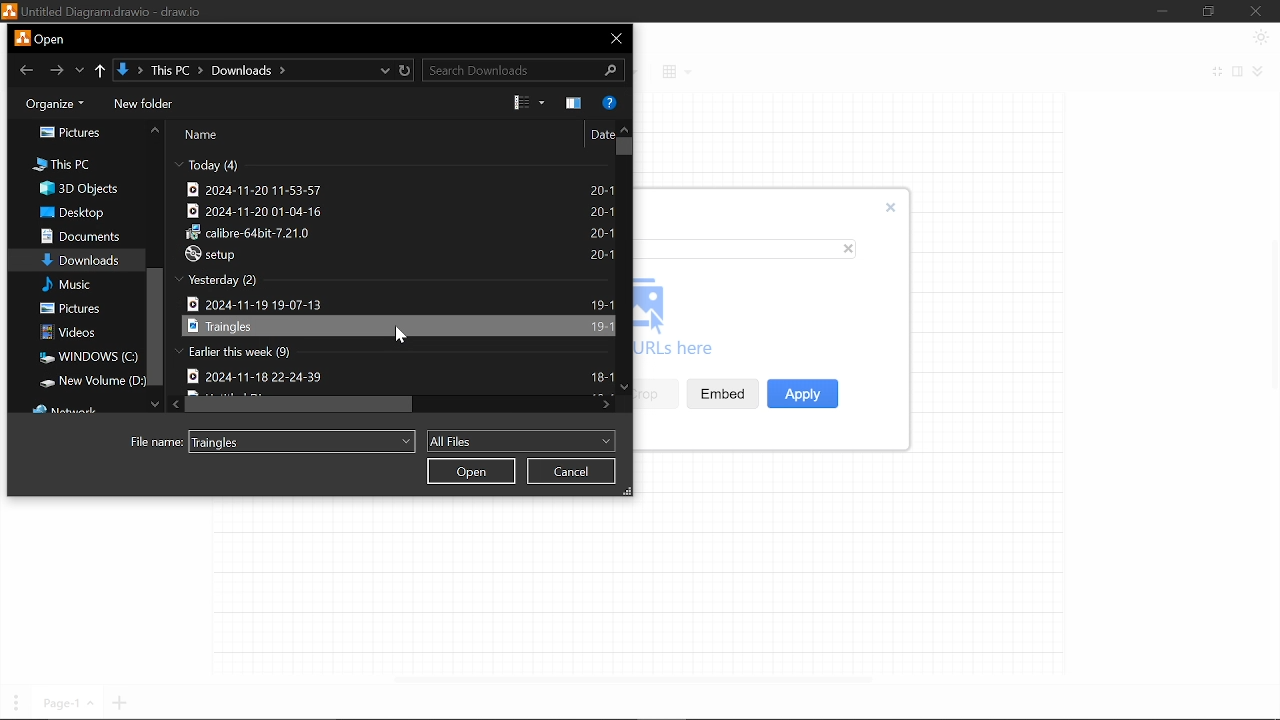 The height and width of the screenshot is (720, 1280). What do you see at coordinates (154, 327) in the screenshot?
I see `Vertical scrollbar in all files` at bounding box center [154, 327].